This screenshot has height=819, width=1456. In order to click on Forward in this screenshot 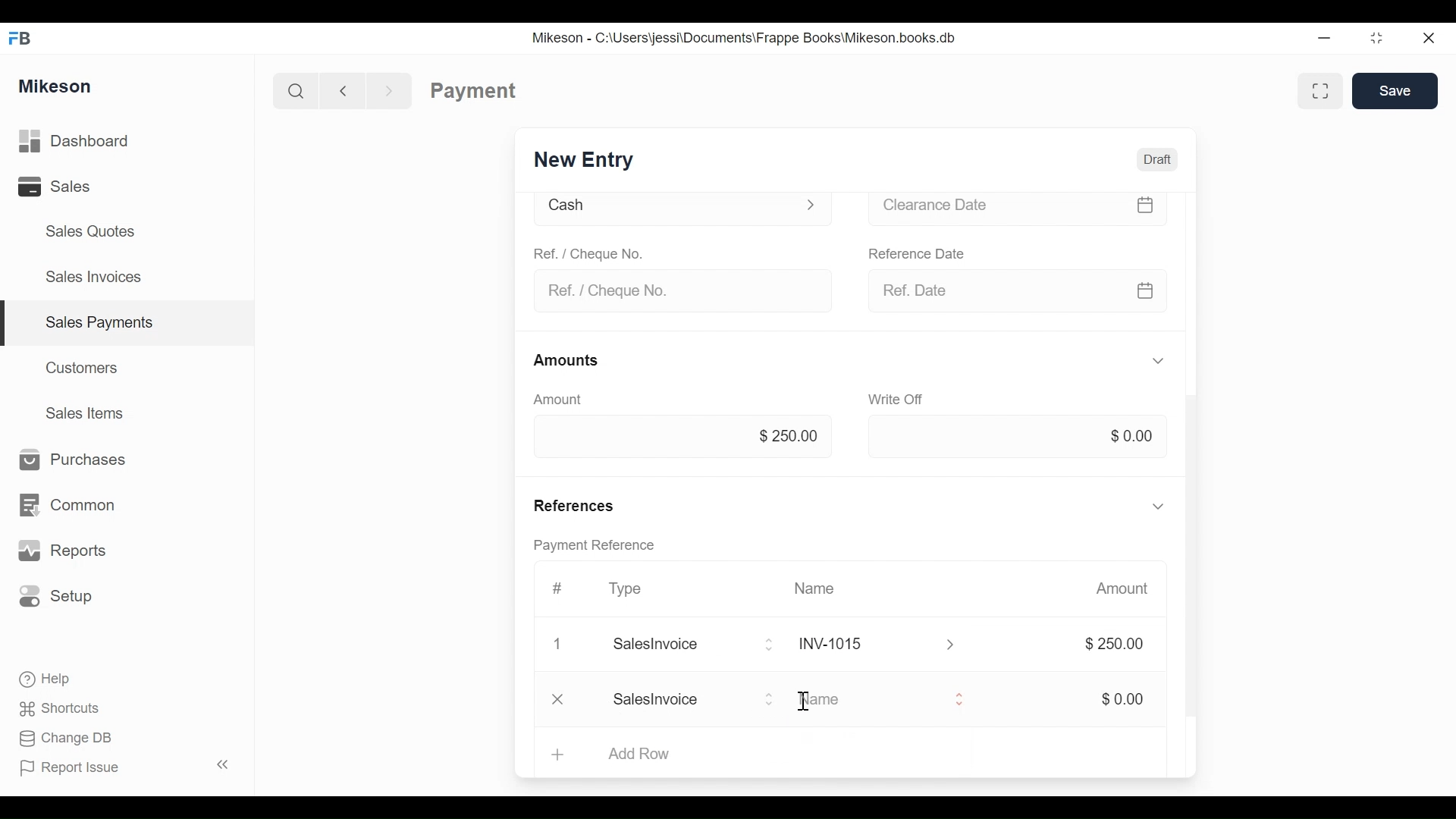, I will do `click(394, 89)`.